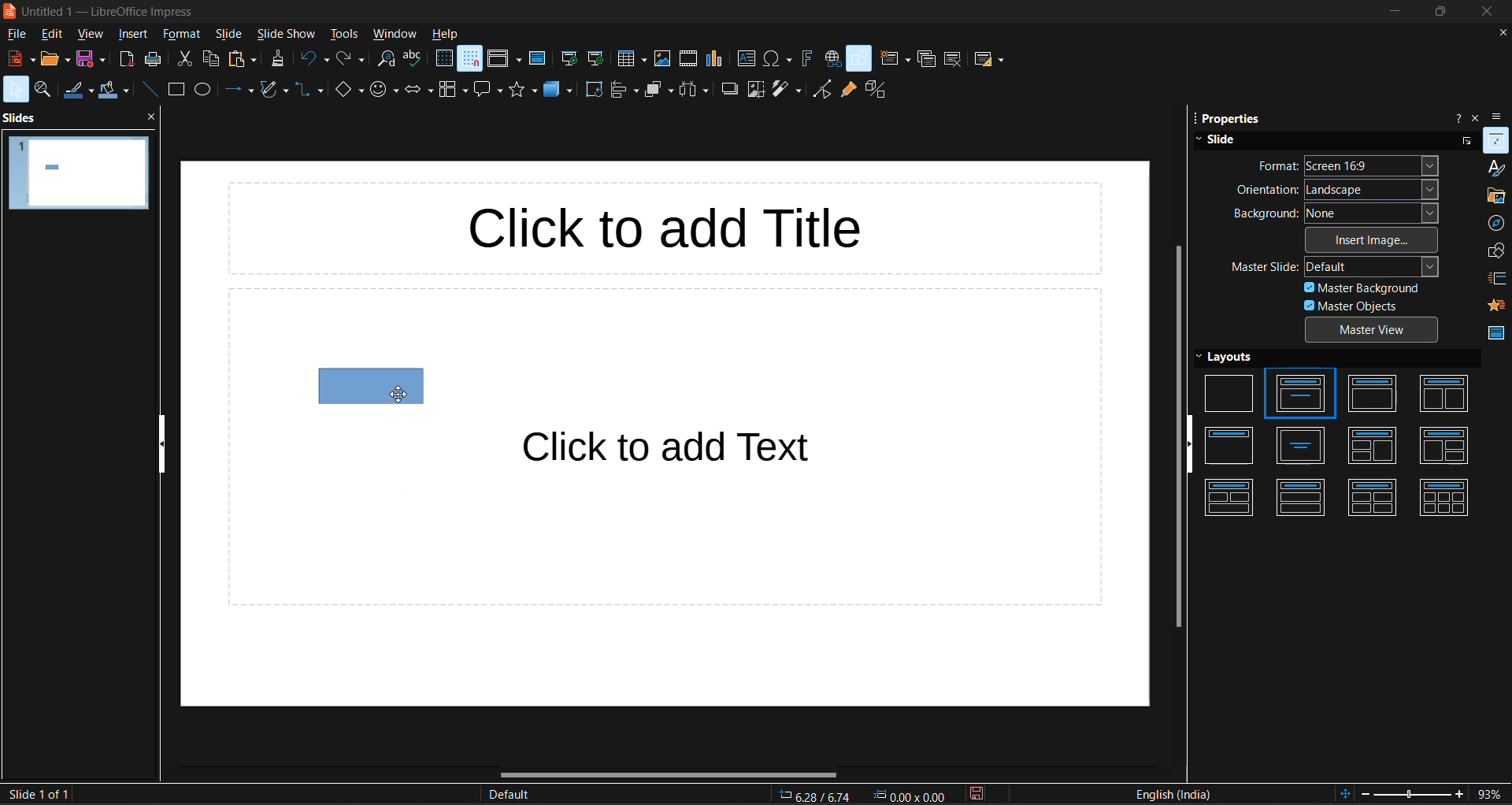  I want to click on toggle point edit mode, so click(820, 88).